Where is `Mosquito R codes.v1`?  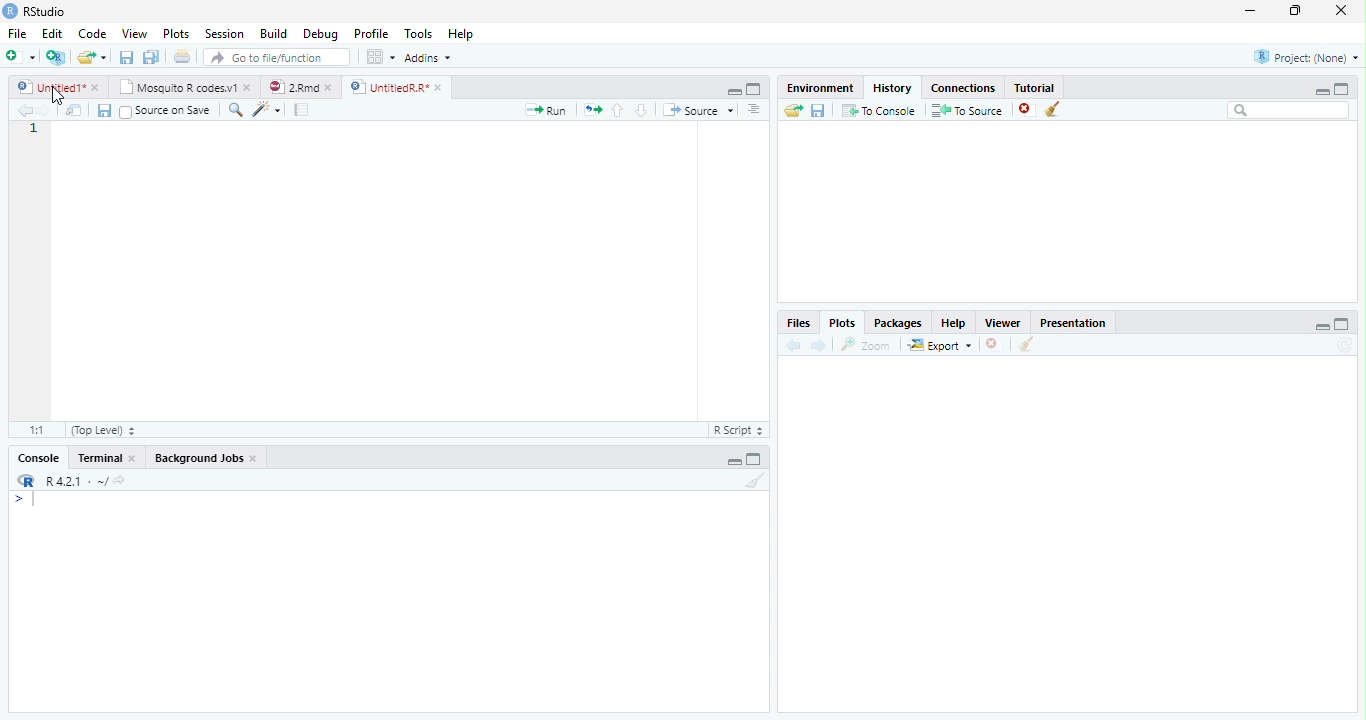 Mosquito R codes.v1 is located at coordinates (175, 87).